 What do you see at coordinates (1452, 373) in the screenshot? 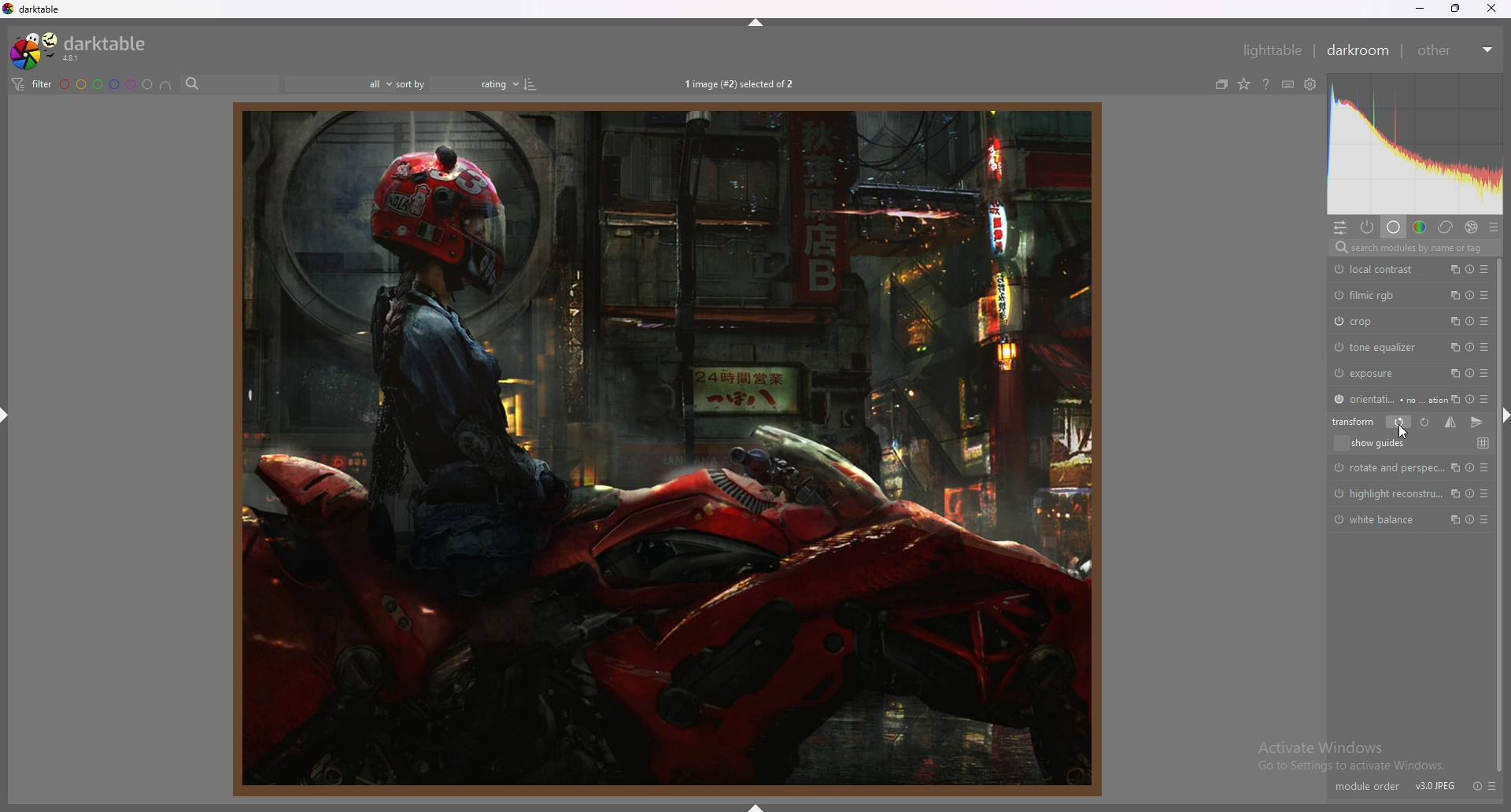
I see `multiple instances action` at bounding box center [1452, 373].